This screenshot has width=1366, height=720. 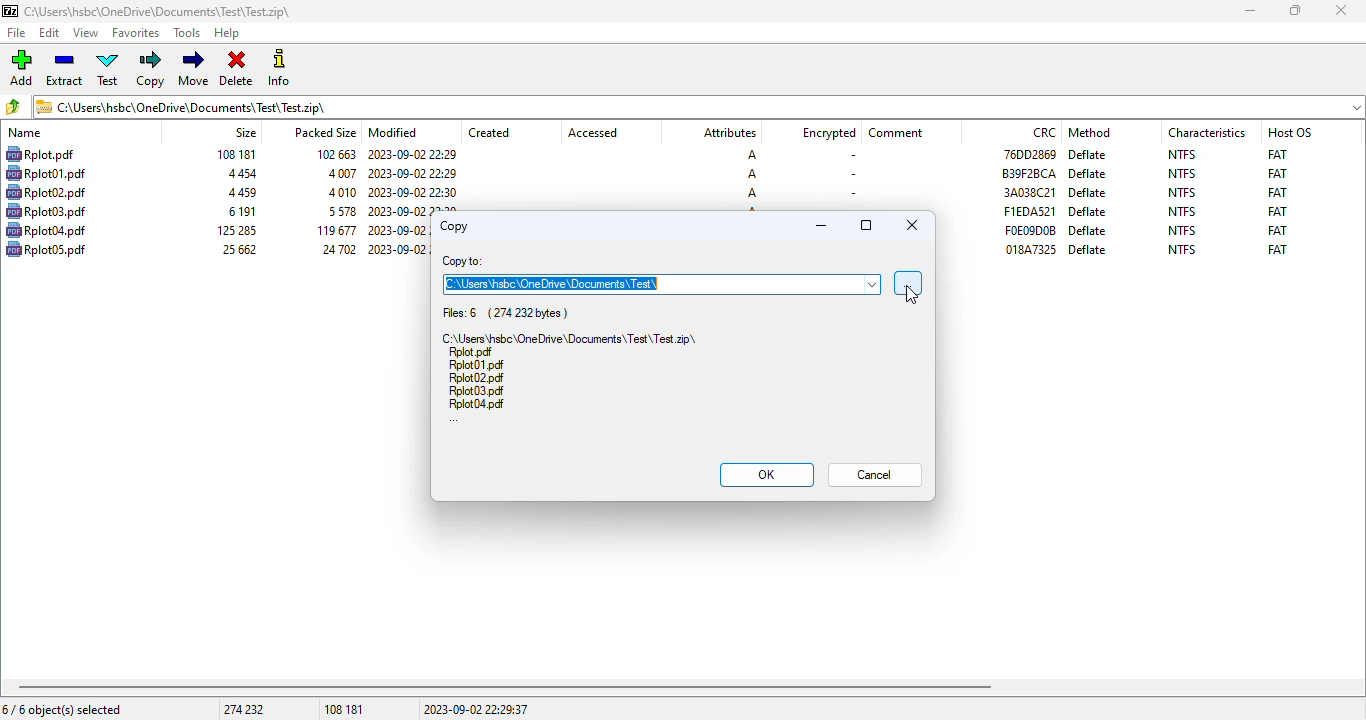 What do you see at coordinates (1290, 132) in the screenshot?
I see `host OS` at bounding box center [1290, 132].